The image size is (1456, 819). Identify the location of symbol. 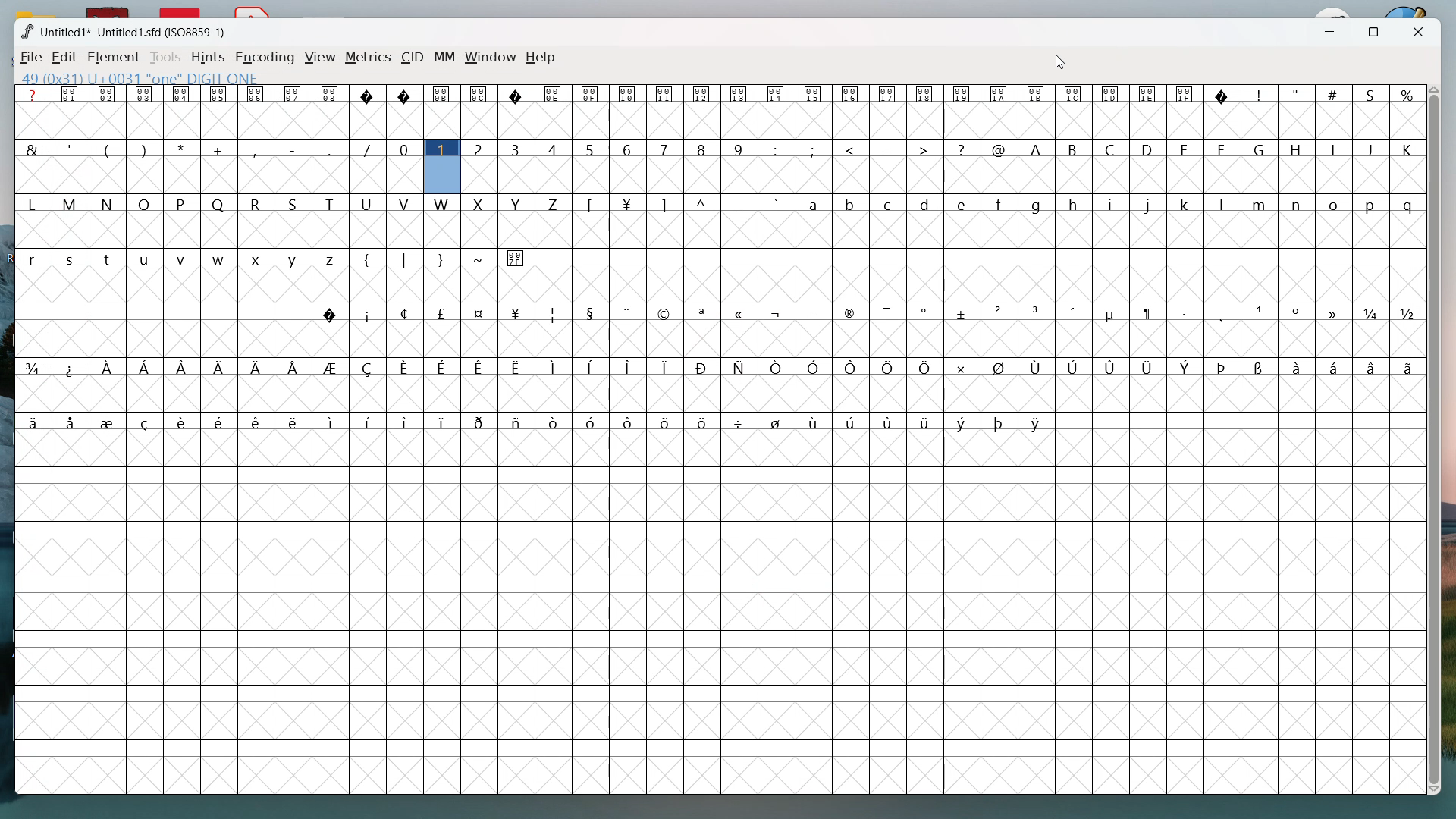
(964, 422).